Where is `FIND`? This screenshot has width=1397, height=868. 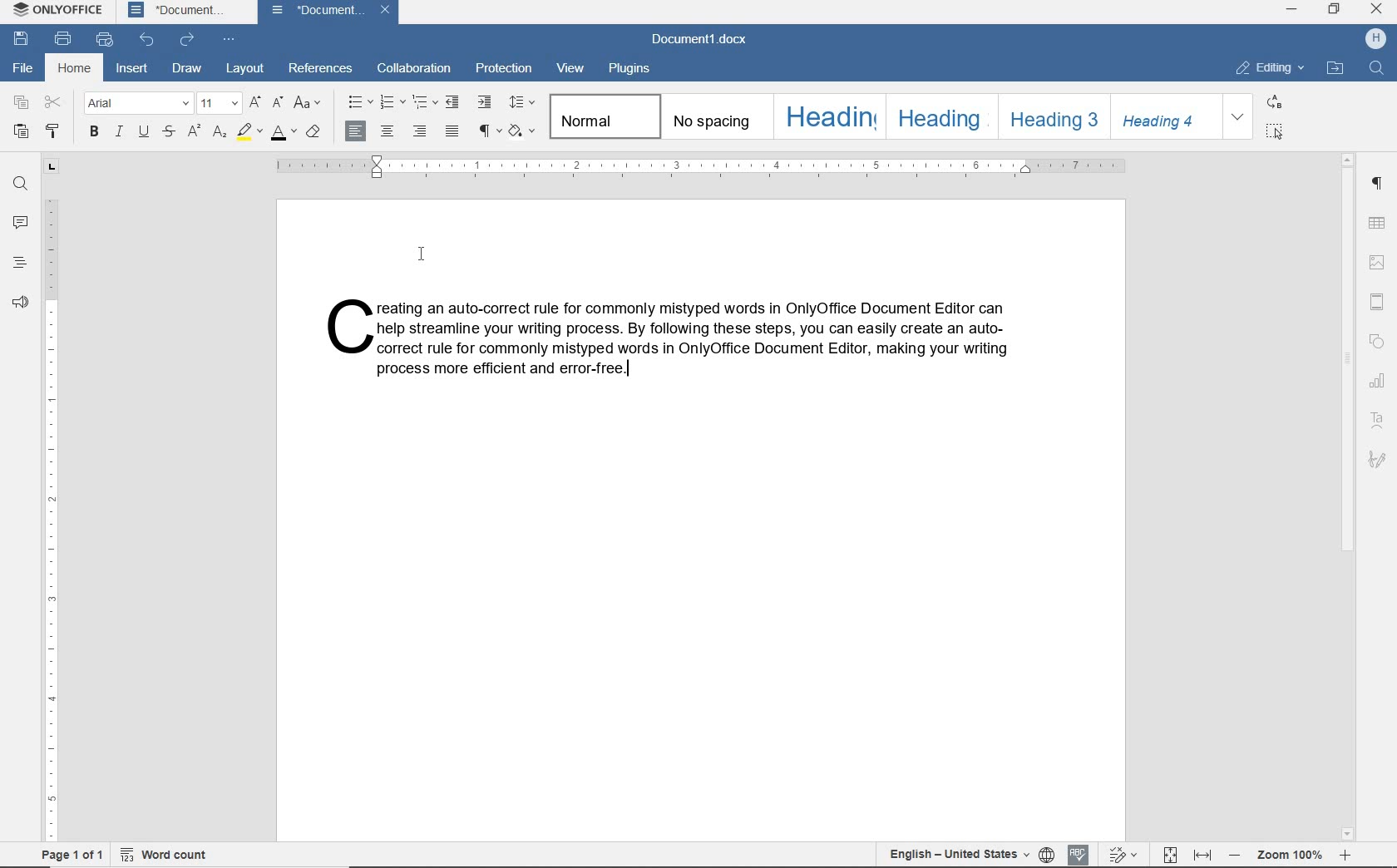
FIND is located at coordinates (19, 184).